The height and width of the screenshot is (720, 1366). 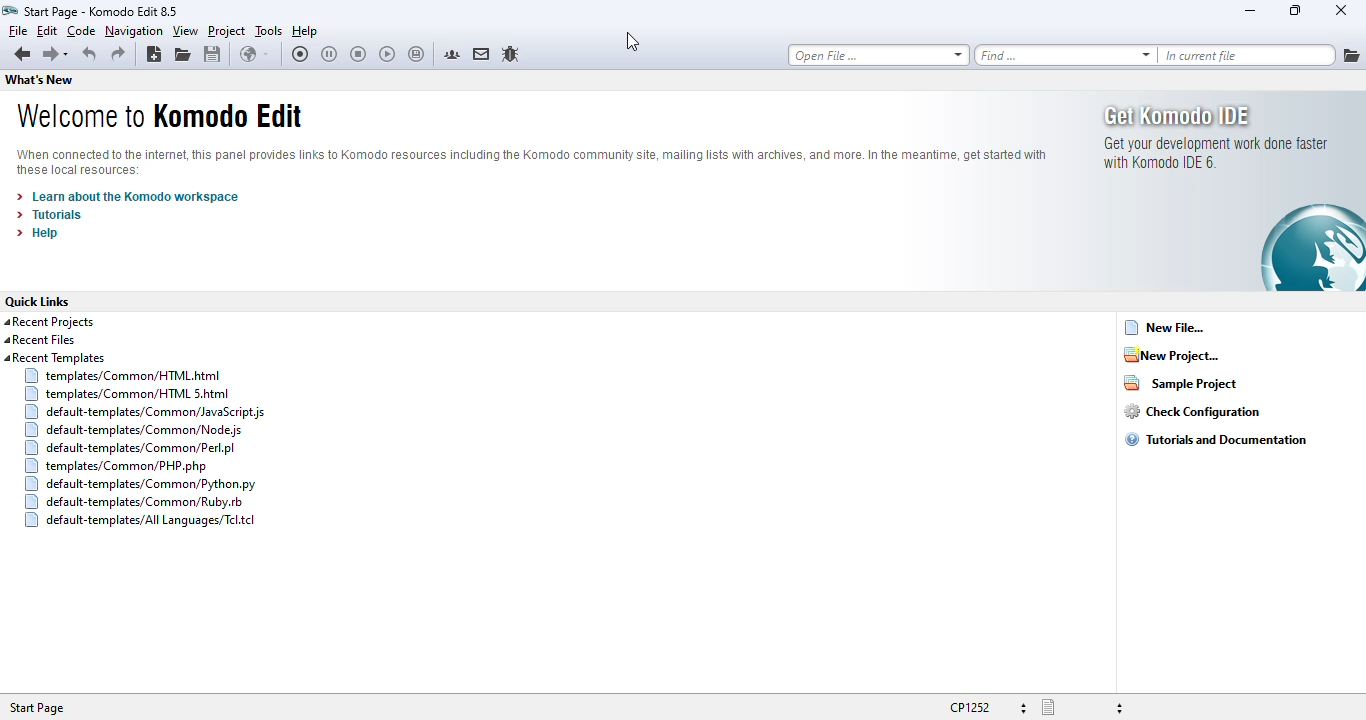 I want to click on tools, so click(x=269, y=31).